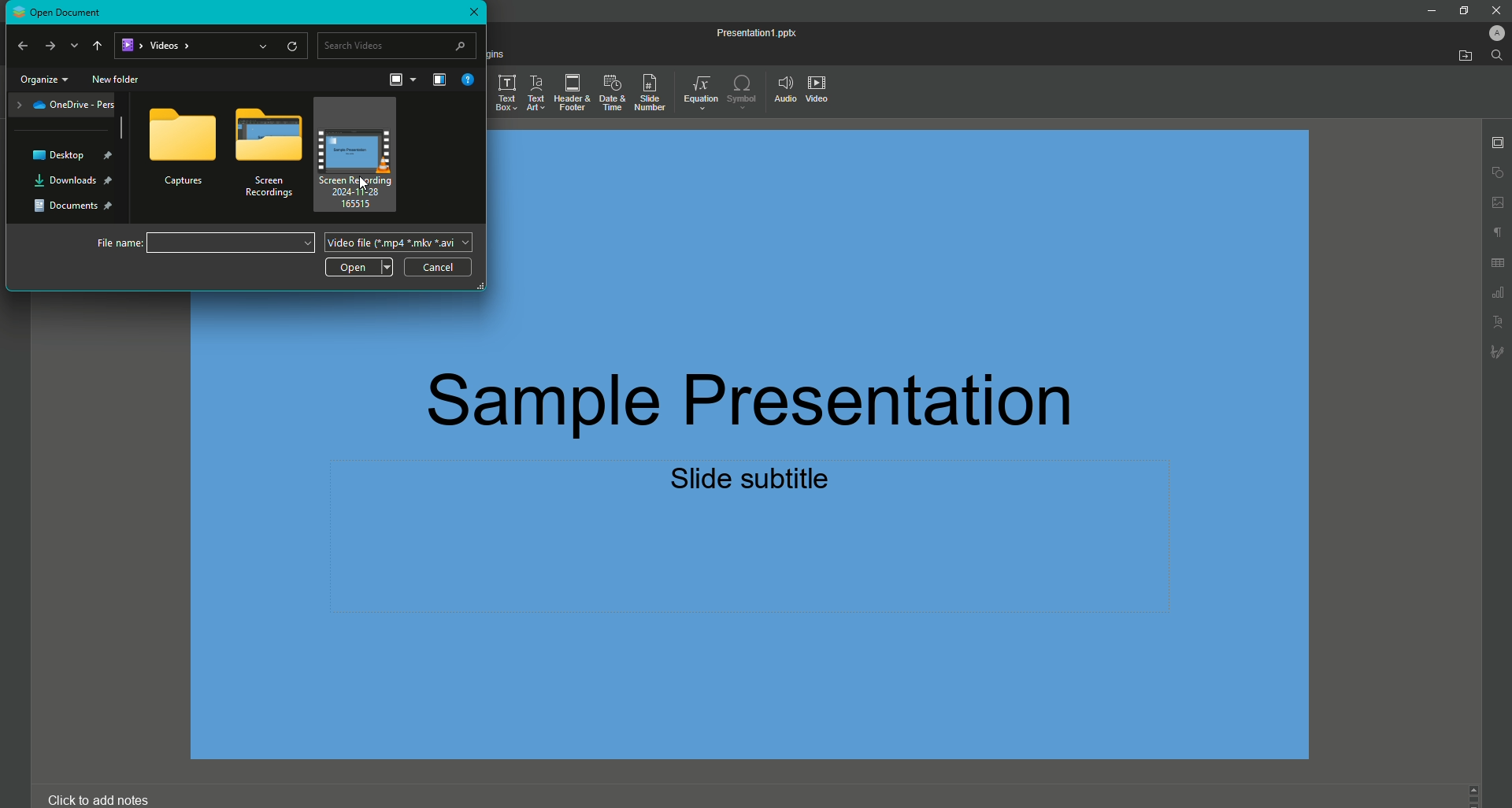  What do you see at coordinates (1496, 172) in the screenshot?
I see `Shape Settings` at bounding box center [1496, 172].